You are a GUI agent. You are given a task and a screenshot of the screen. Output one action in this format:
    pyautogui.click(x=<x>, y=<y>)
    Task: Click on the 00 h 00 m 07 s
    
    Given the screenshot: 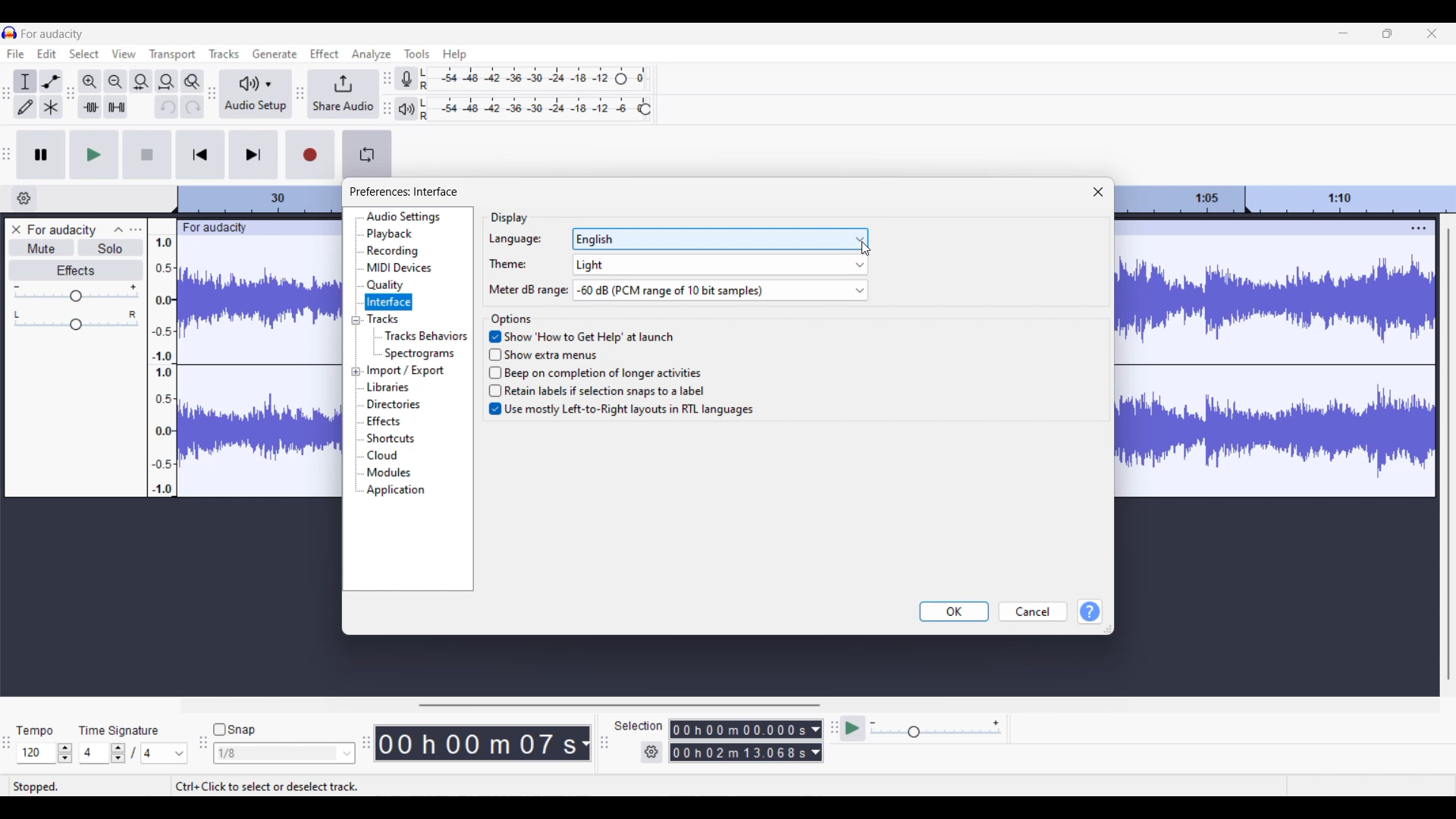 What is the action you would take?
    pyautogui.click(x=476, y=743)
    